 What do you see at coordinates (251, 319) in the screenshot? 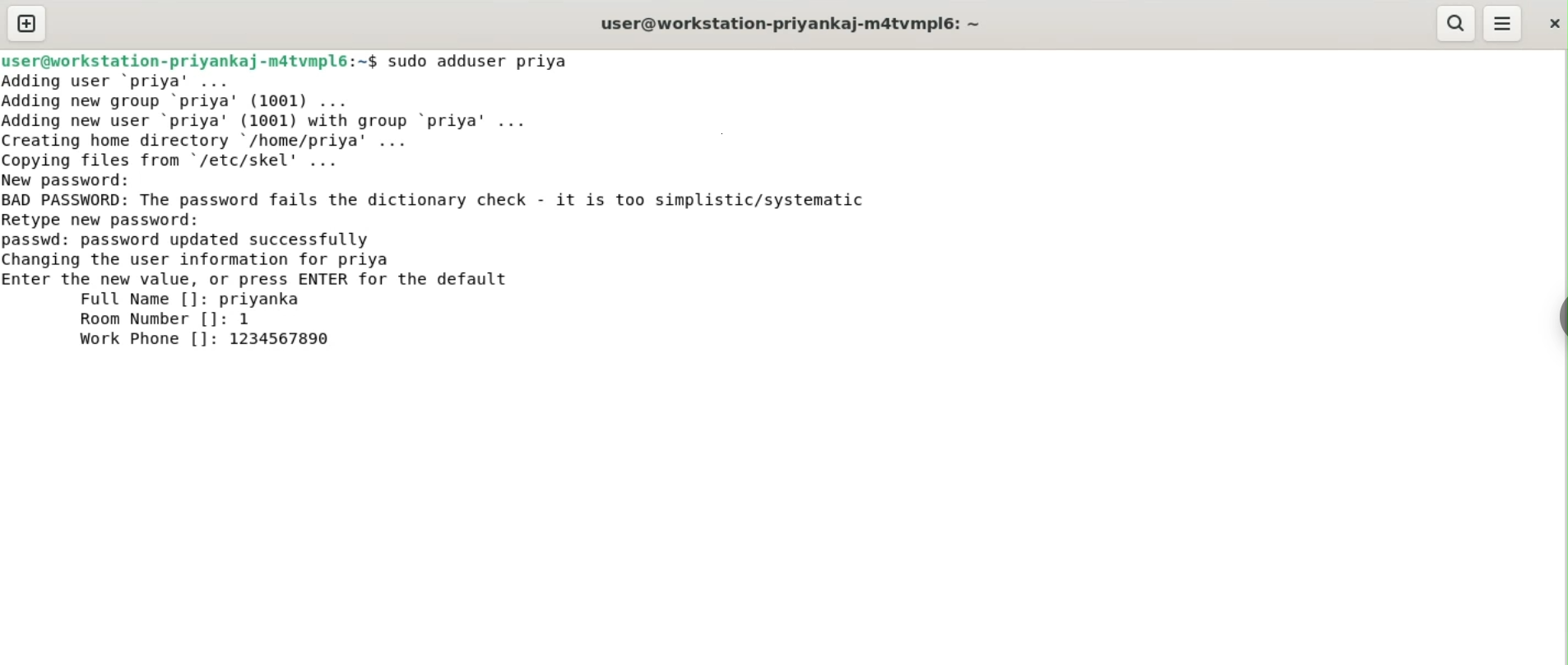
I see `1` at bounding box center [251, 319].